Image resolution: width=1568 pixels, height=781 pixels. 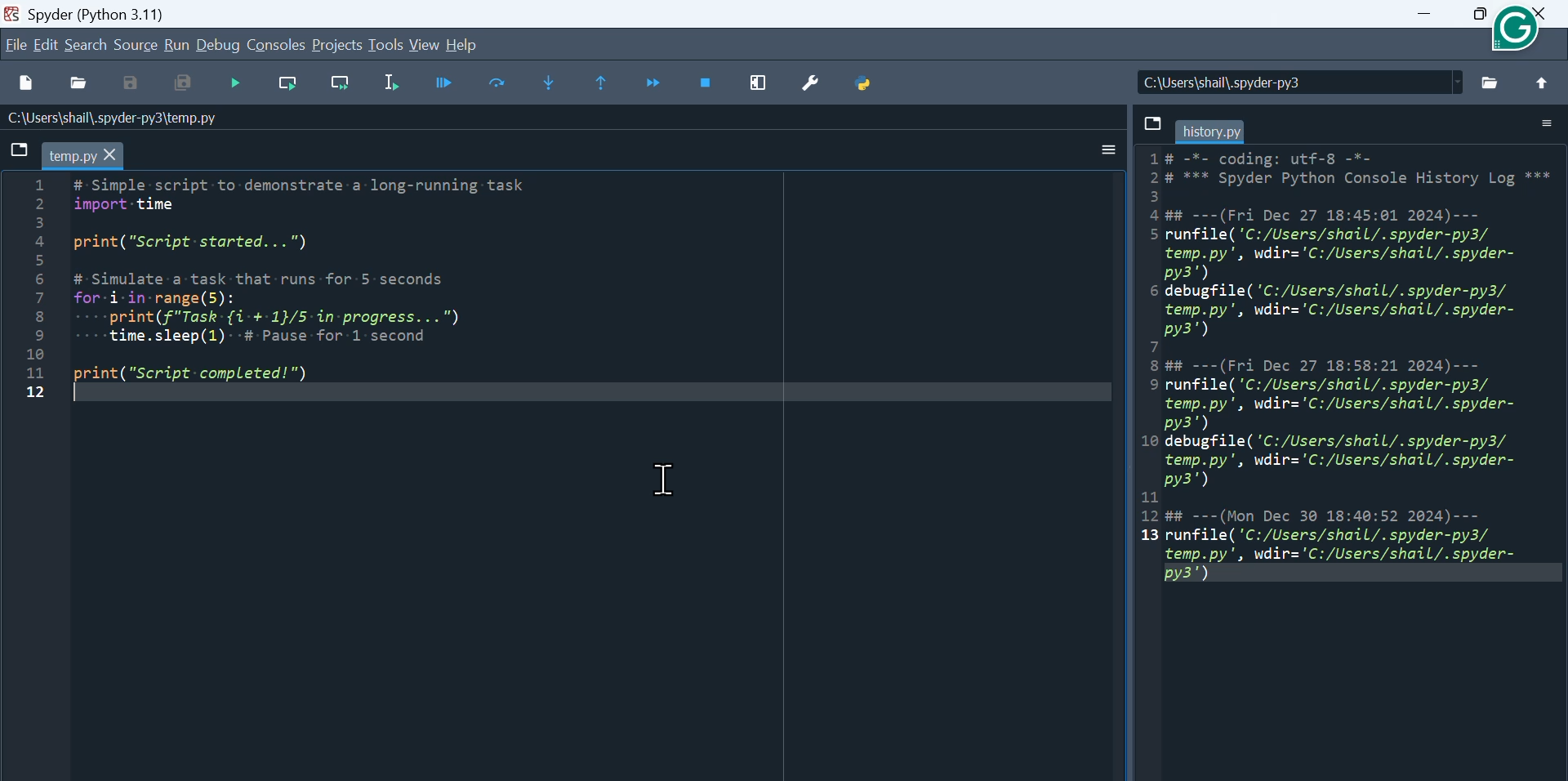 What do you see at coordinates (288, 85) in the screenshot?
I see `Run current line` at bounding box center [288, 85].